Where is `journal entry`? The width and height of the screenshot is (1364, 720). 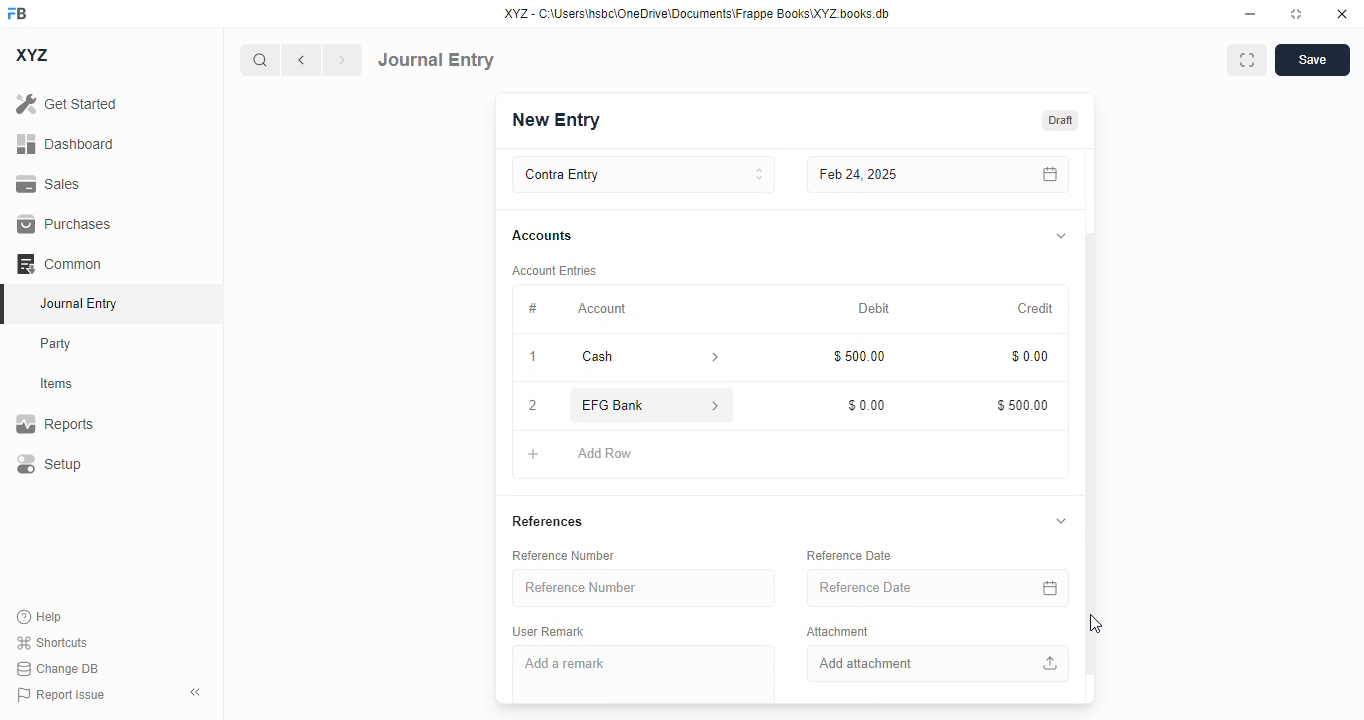 journal entry is located at coordinates (436, 60).